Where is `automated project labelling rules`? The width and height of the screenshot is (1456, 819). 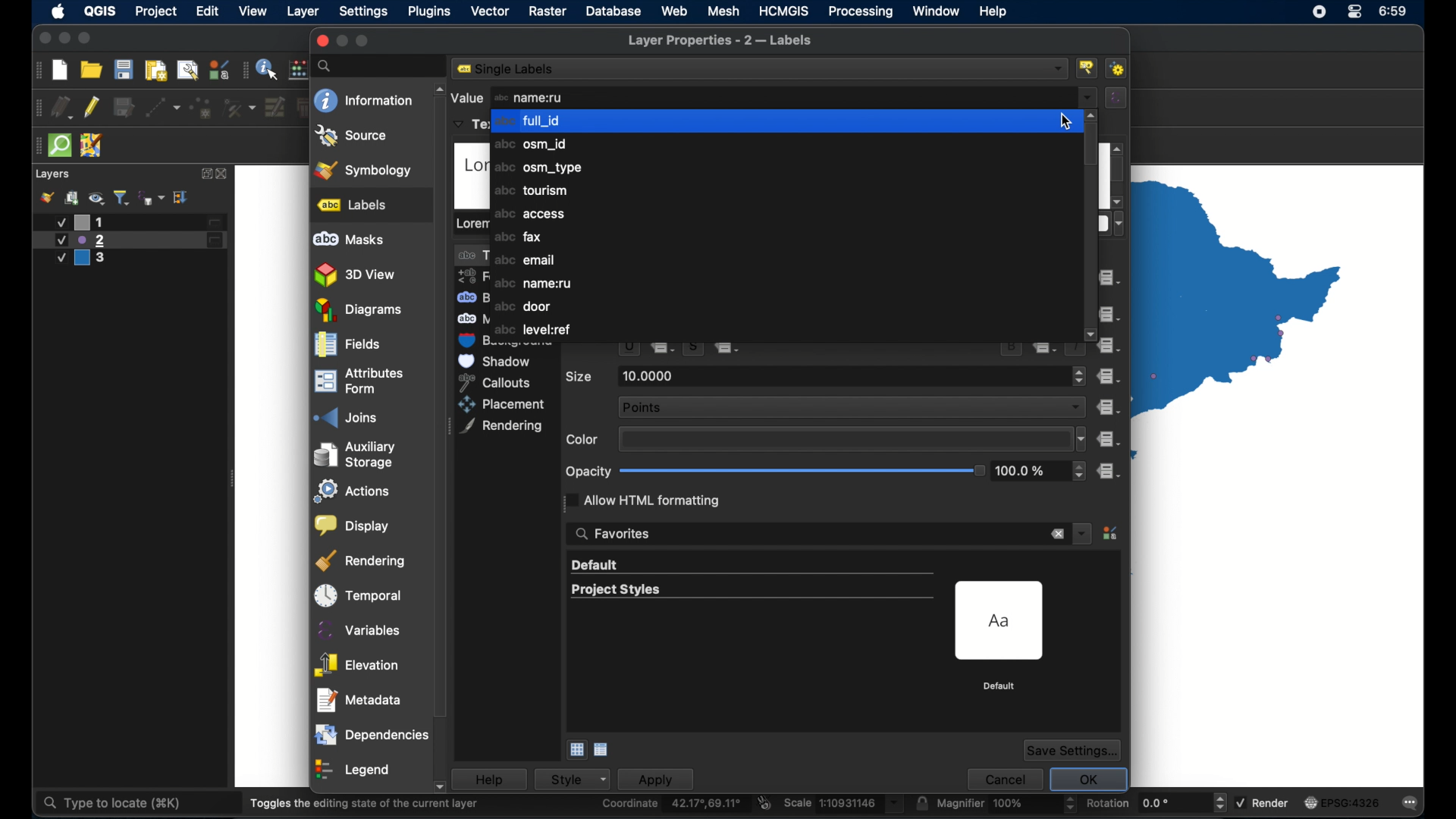 automated project labelling rules is located at coordinates (1119, 68).